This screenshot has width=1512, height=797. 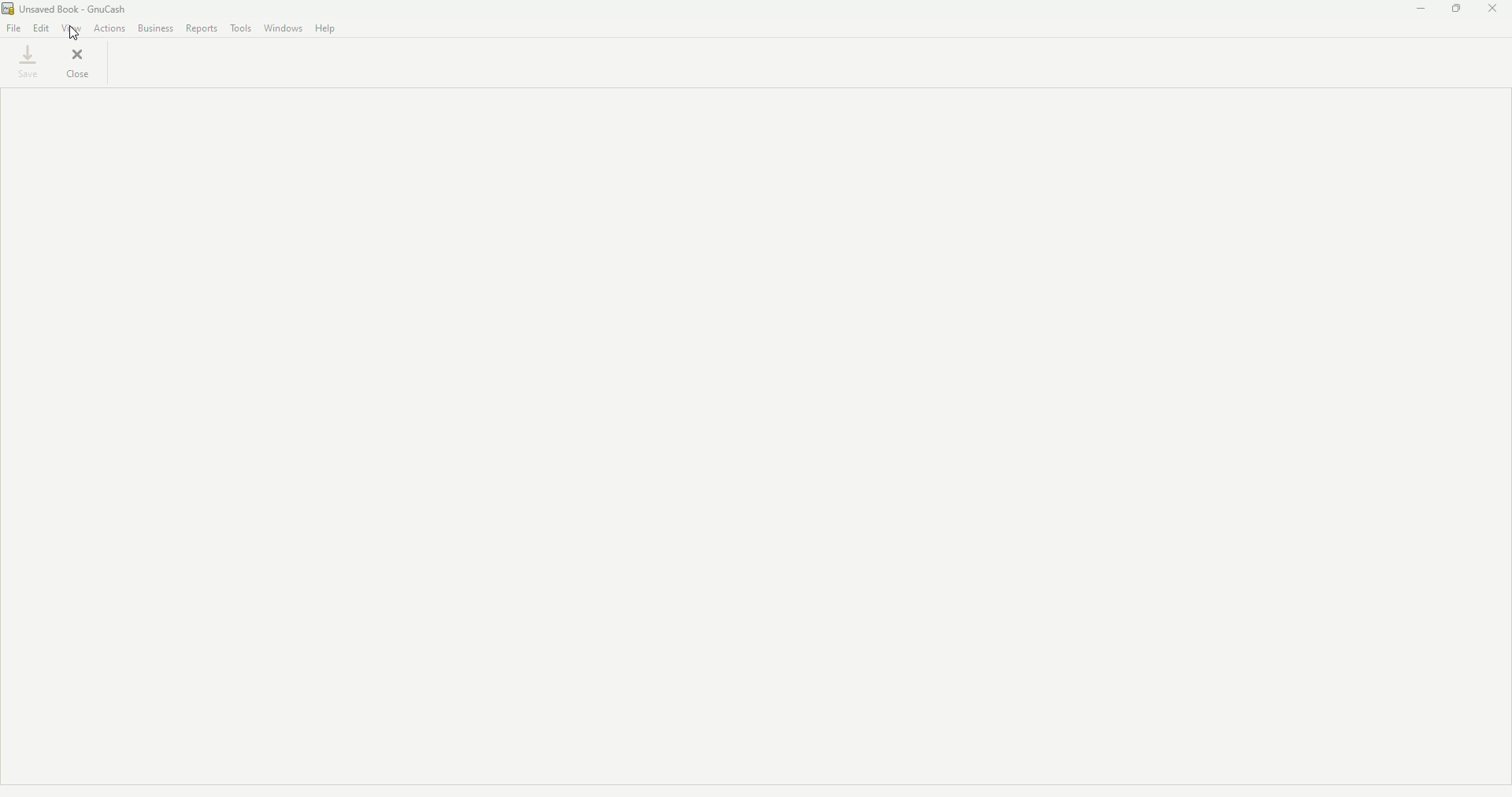 What do you see at coordinates (154, 28) in the screenshot?
I see `Business` at bounding box center [154, 28].